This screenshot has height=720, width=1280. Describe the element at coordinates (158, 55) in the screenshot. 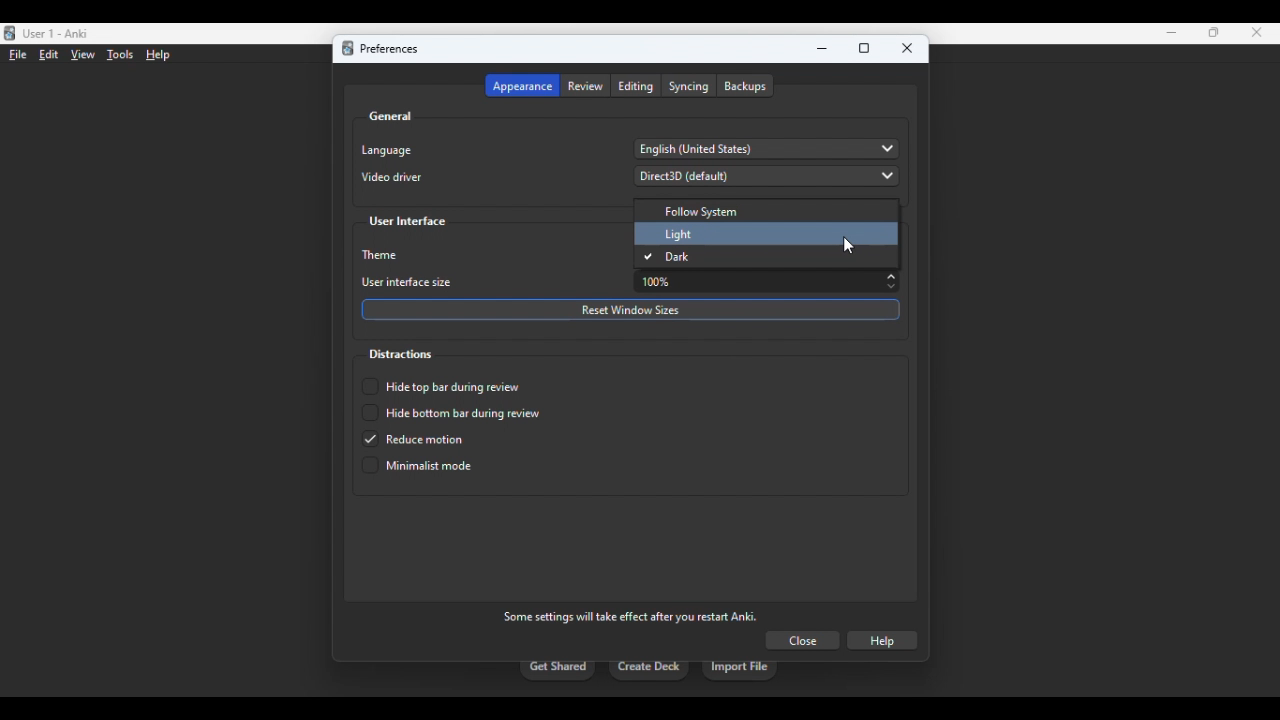

I see `help` at that location.